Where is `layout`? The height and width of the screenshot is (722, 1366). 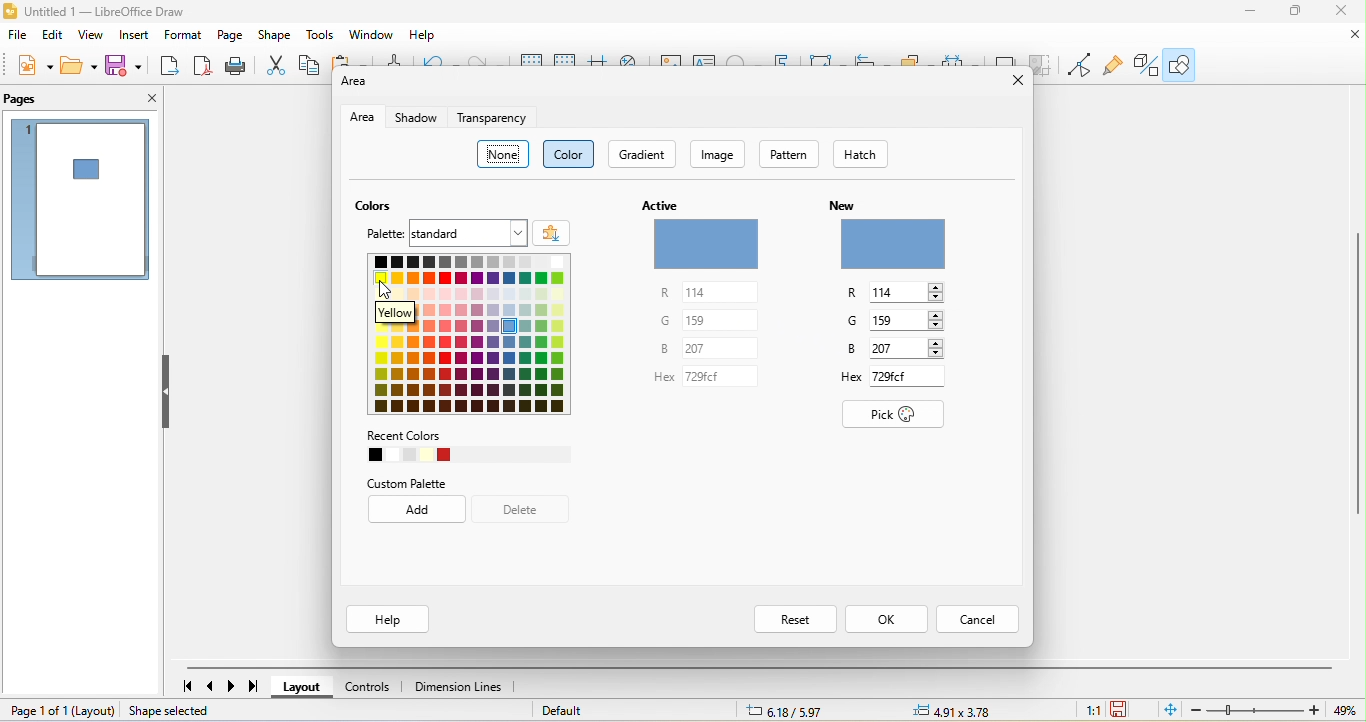
layout is located at coordinates (307, 686).